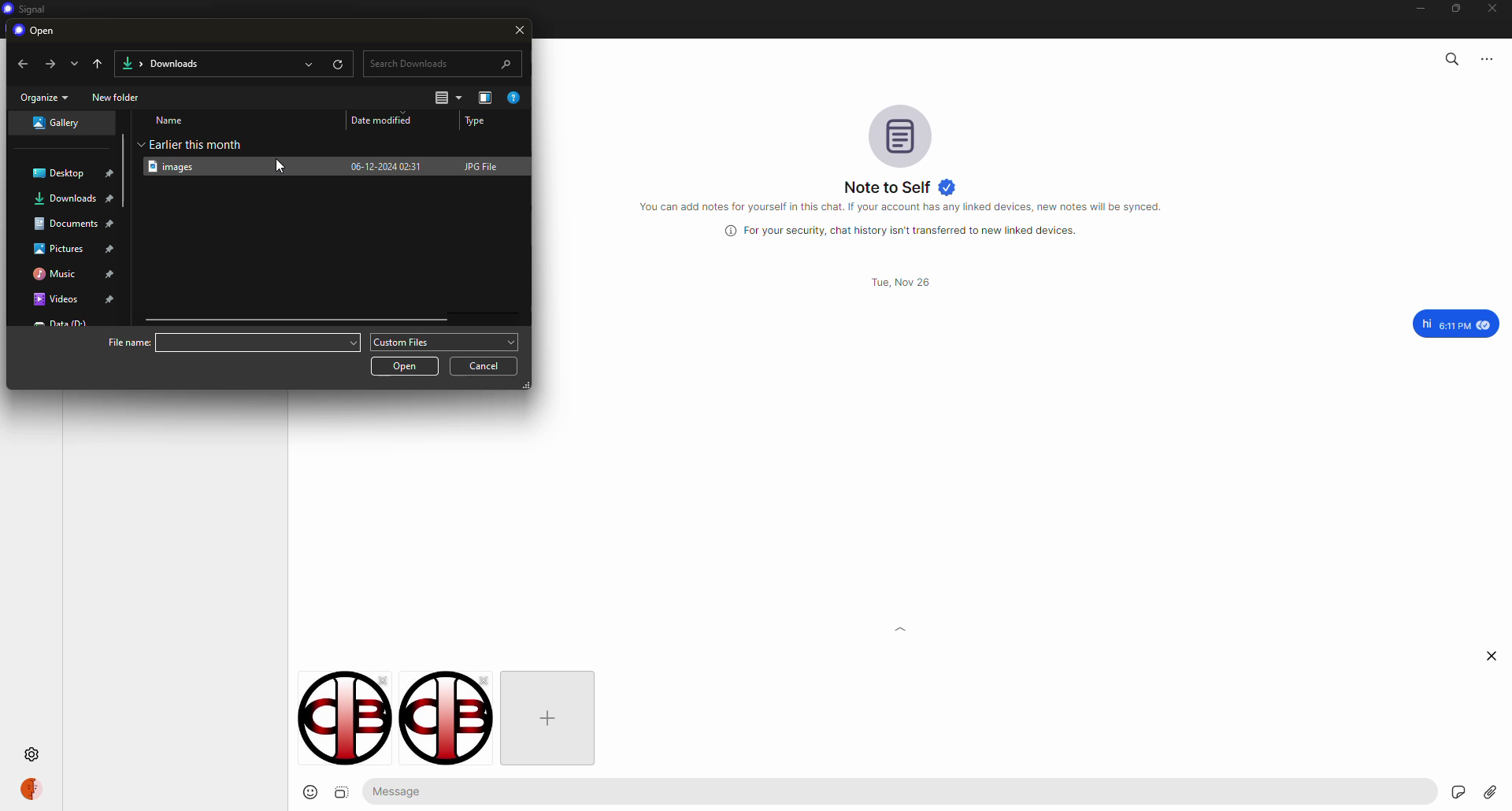  I want to click on file name, so click(128, 342).